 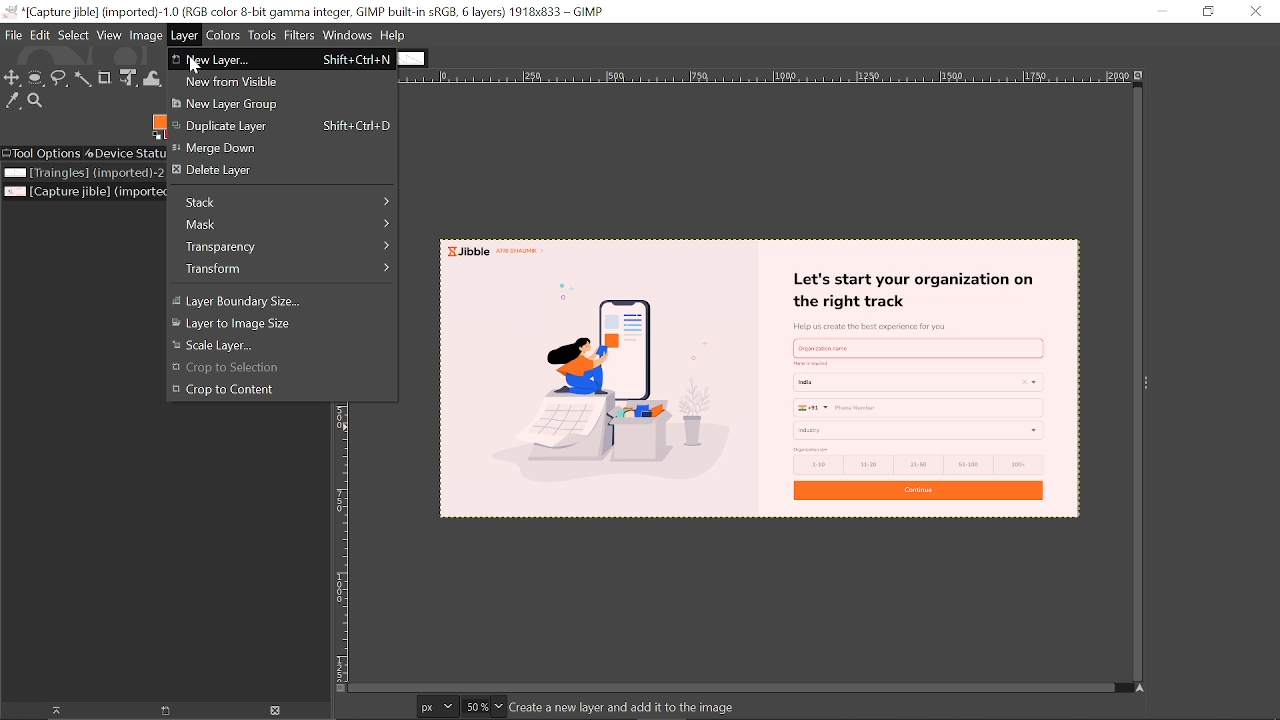 I want to click on crop to selection, so click(x=237, y=366).